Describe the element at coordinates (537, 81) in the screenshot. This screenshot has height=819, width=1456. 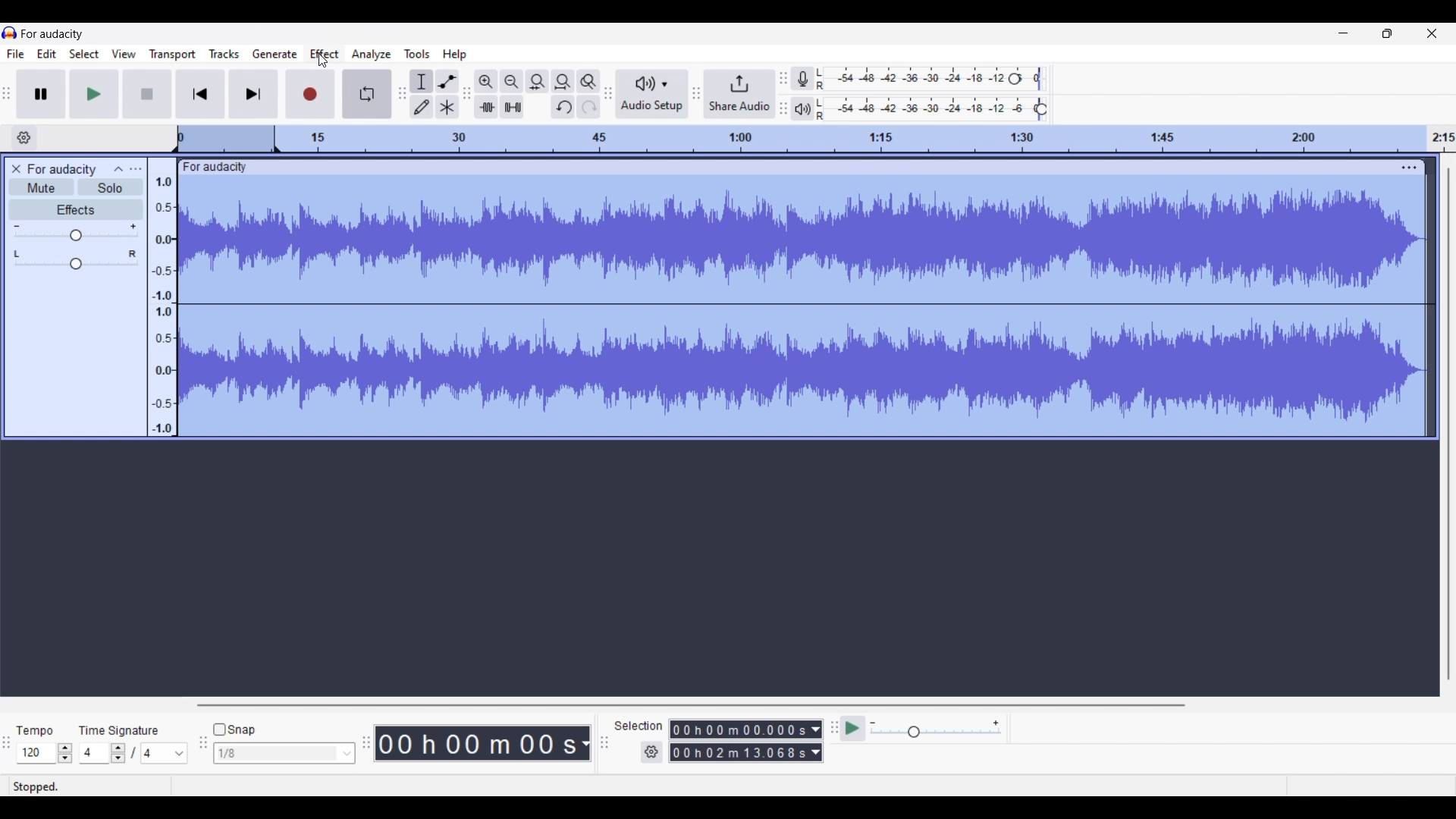
I see `Fit selection to width` at that location.